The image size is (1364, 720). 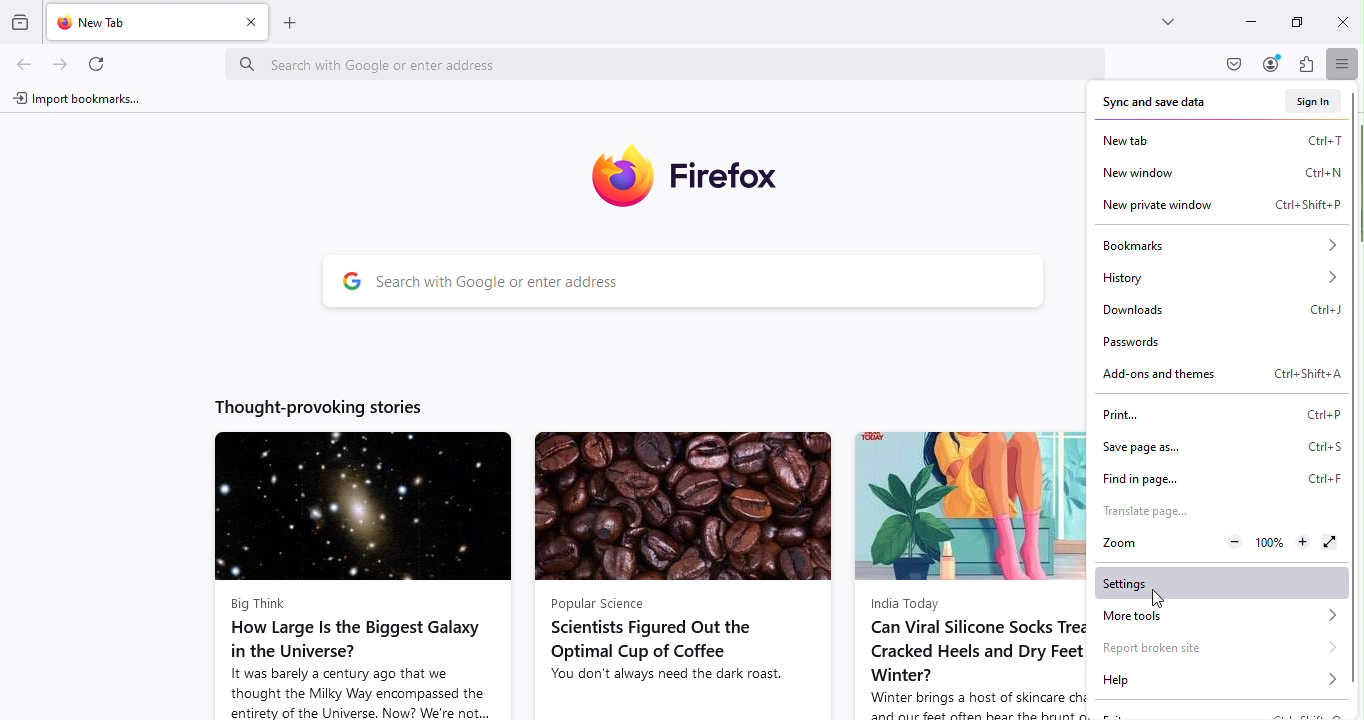 I want to click on Find in page, so click(x=1218, y=478).